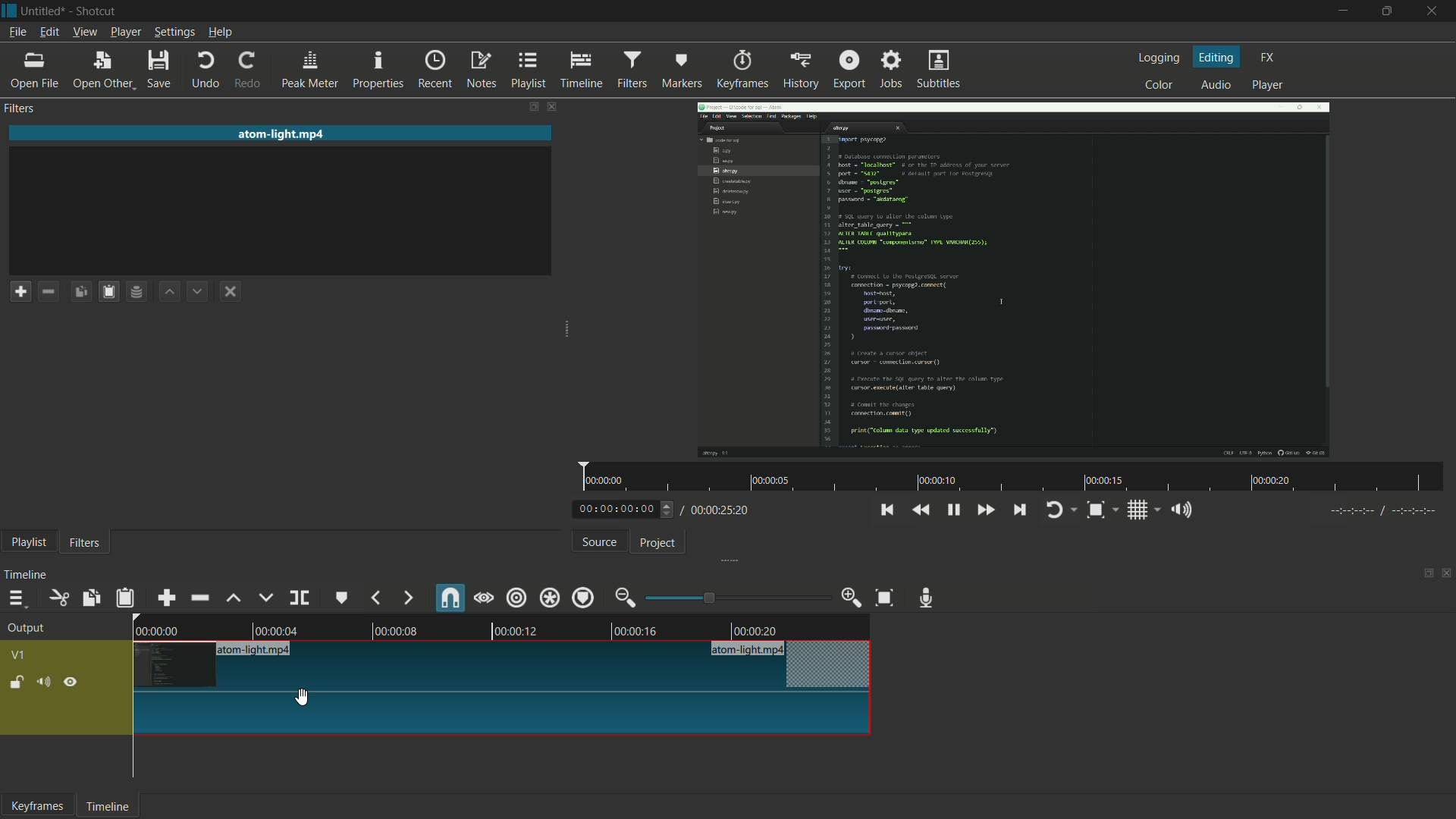 This screenshot has height=819, width=1456. I want to click on zoom timeline to fit, so click(885, 598).